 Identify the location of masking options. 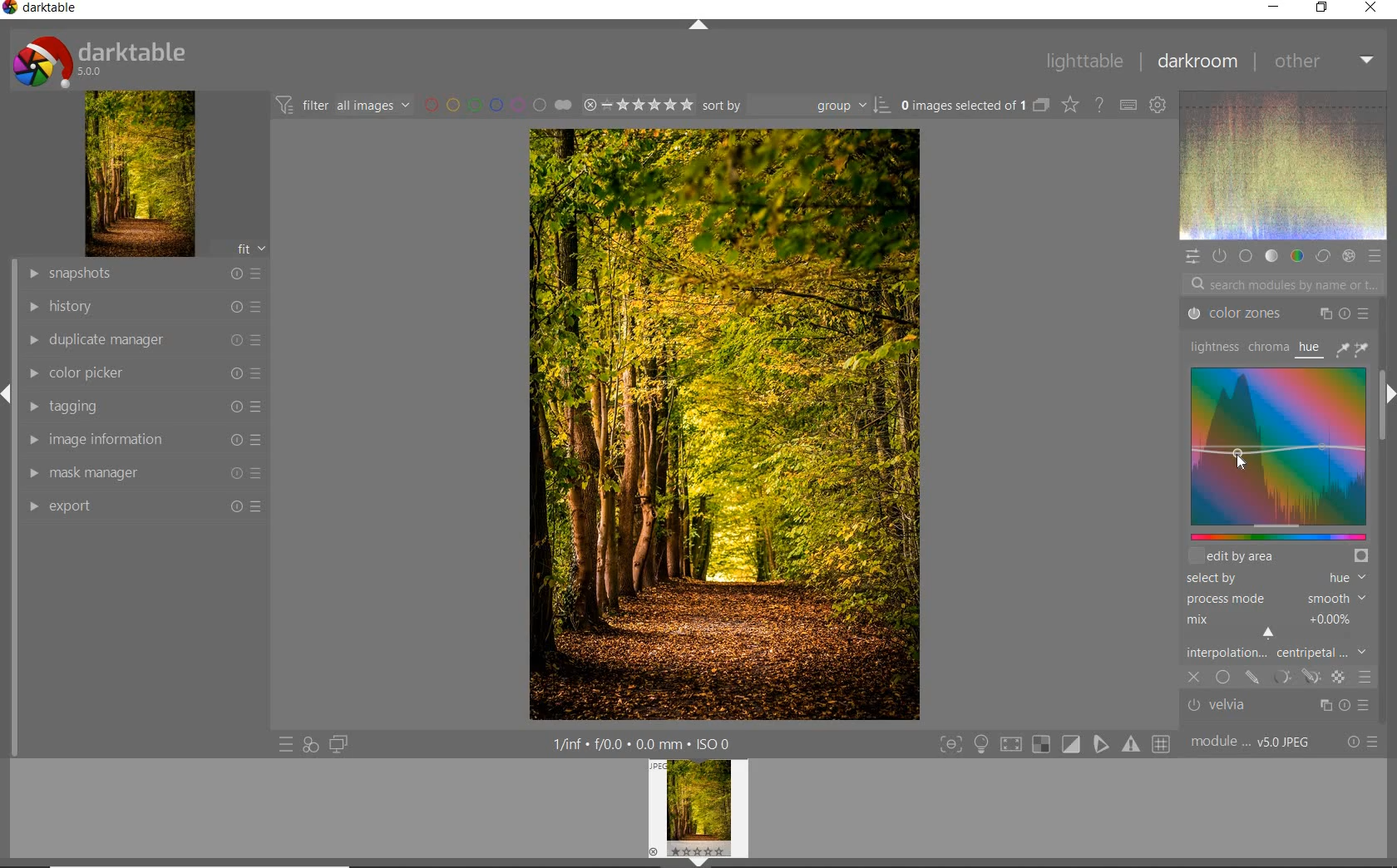
(1293, 678).